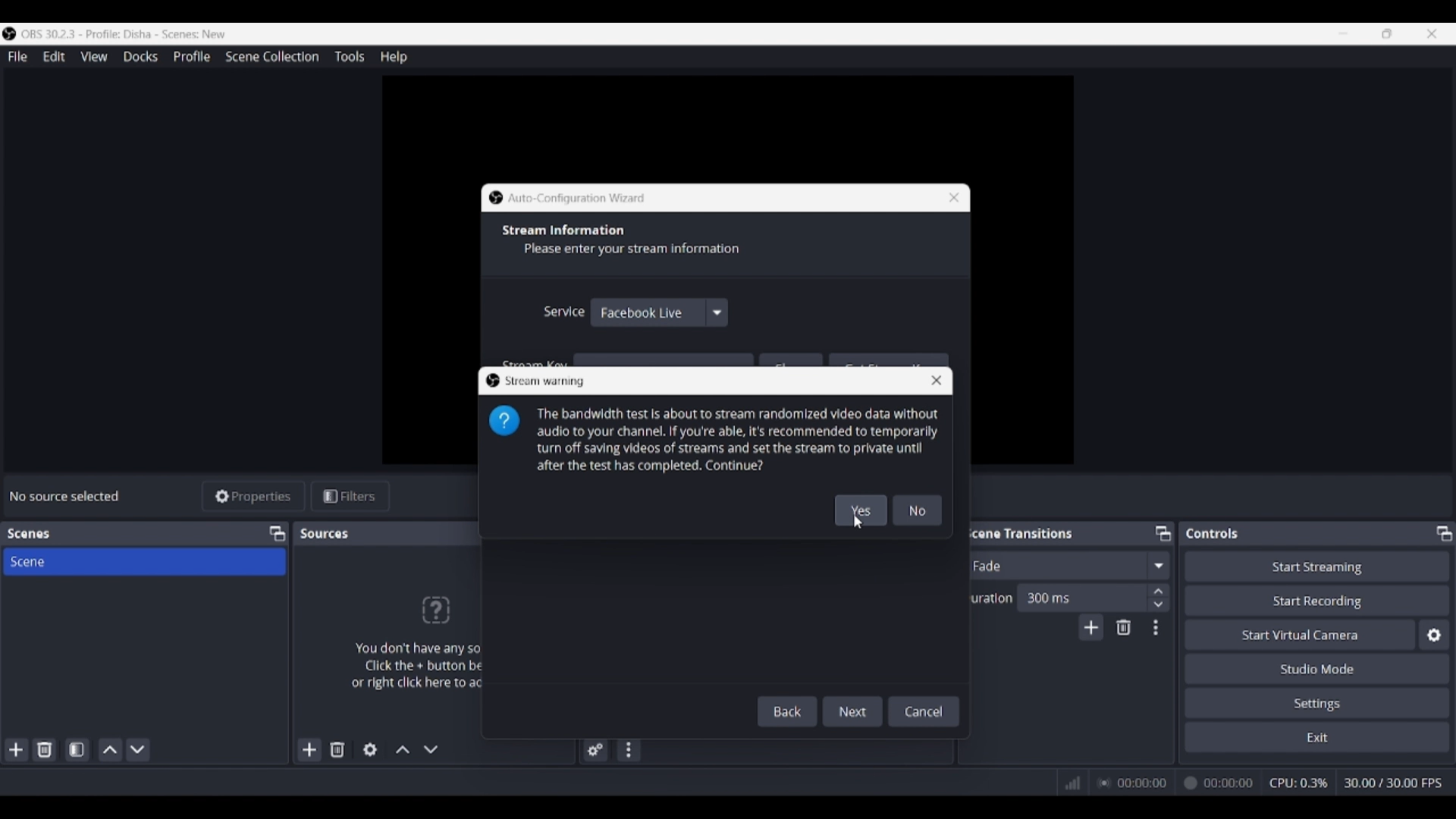  What do you see at coordinates (94, 56) in the screenshot?
I see `View menu` at bounding box center [94, 56].